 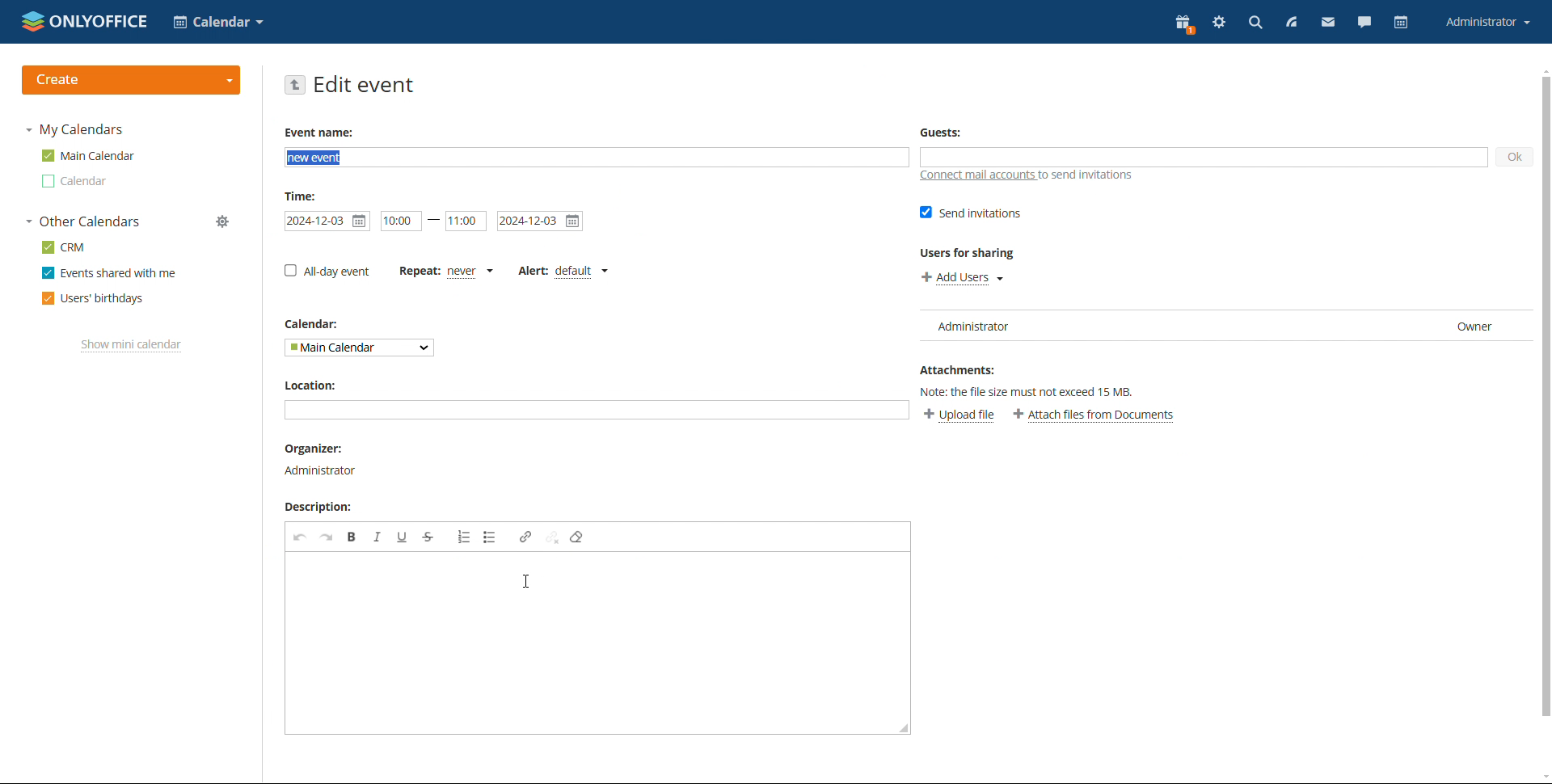 What do you see at coordinates (1255, 23) in the screenshot?
I see `search` at bounding box center [1255, 23].